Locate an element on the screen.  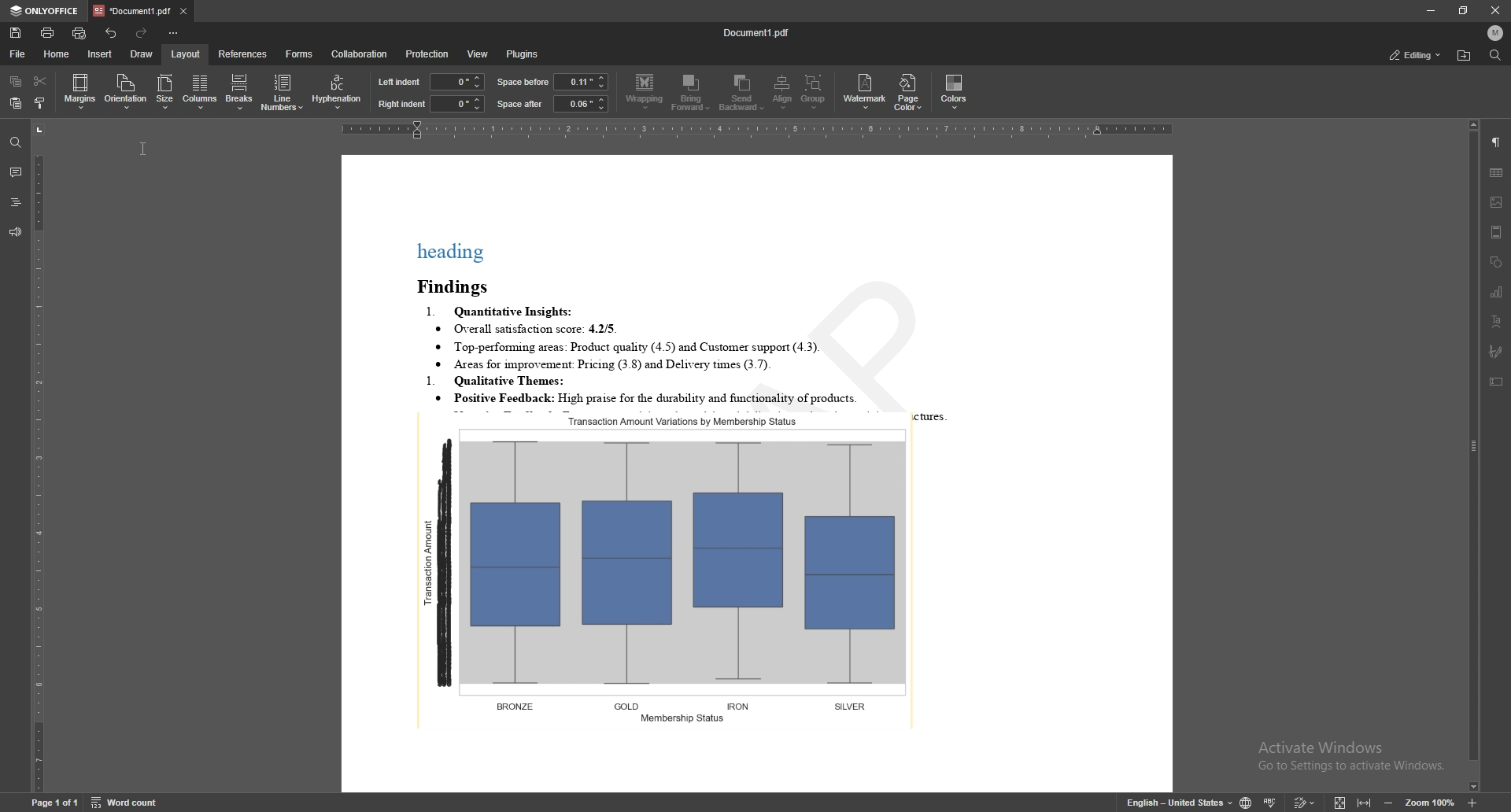
doc (LANDSCAPE) is located at coordinates (758, 474).